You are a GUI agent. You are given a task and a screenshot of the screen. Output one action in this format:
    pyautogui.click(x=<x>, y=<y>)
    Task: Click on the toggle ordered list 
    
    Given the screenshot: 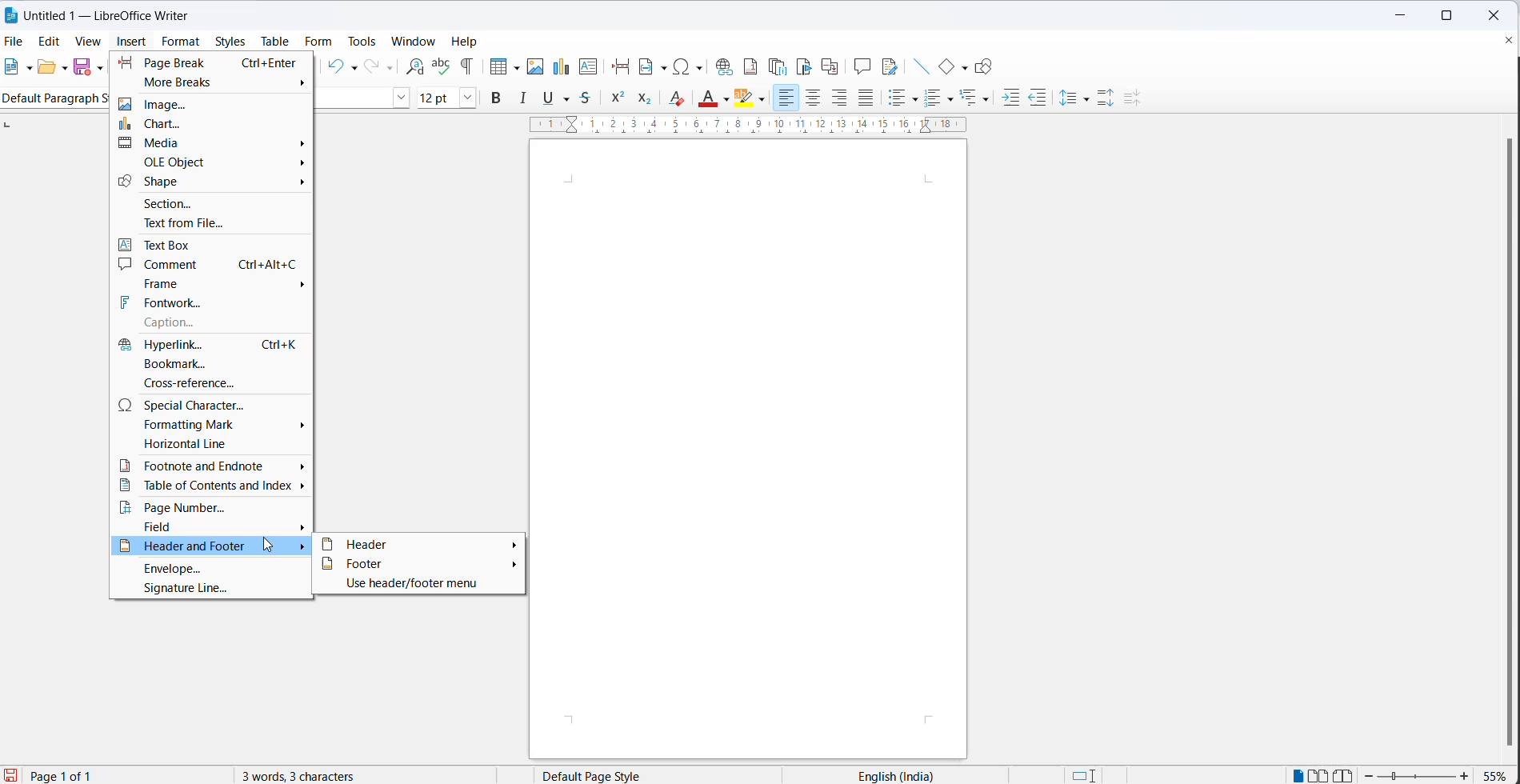 What is the action you would take?
    pyautogui.click(x=951, y=99)
    